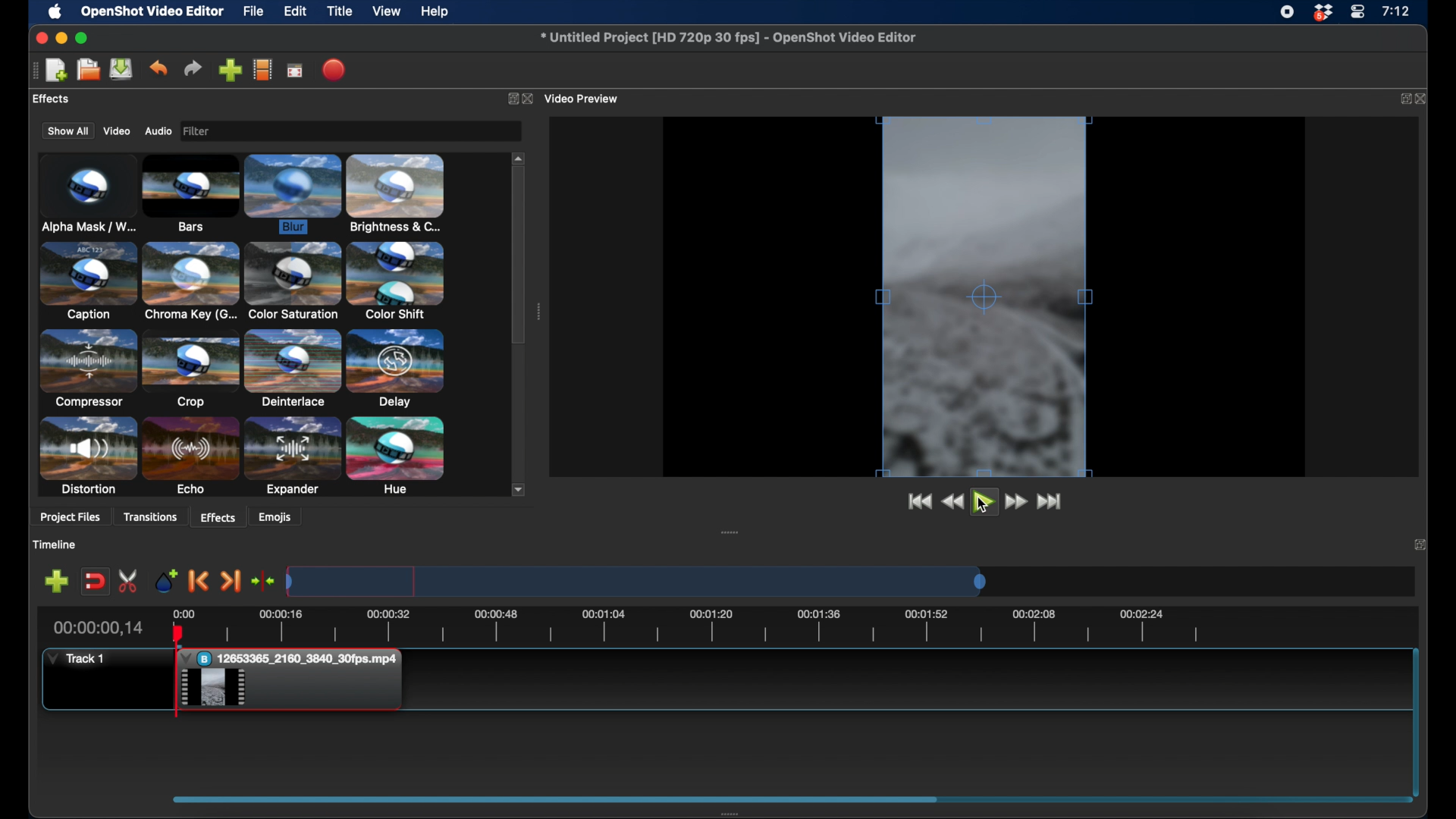  Describe the element at coordinates (294, 195) in the screenshot. I see `blur effect selected` at that location.